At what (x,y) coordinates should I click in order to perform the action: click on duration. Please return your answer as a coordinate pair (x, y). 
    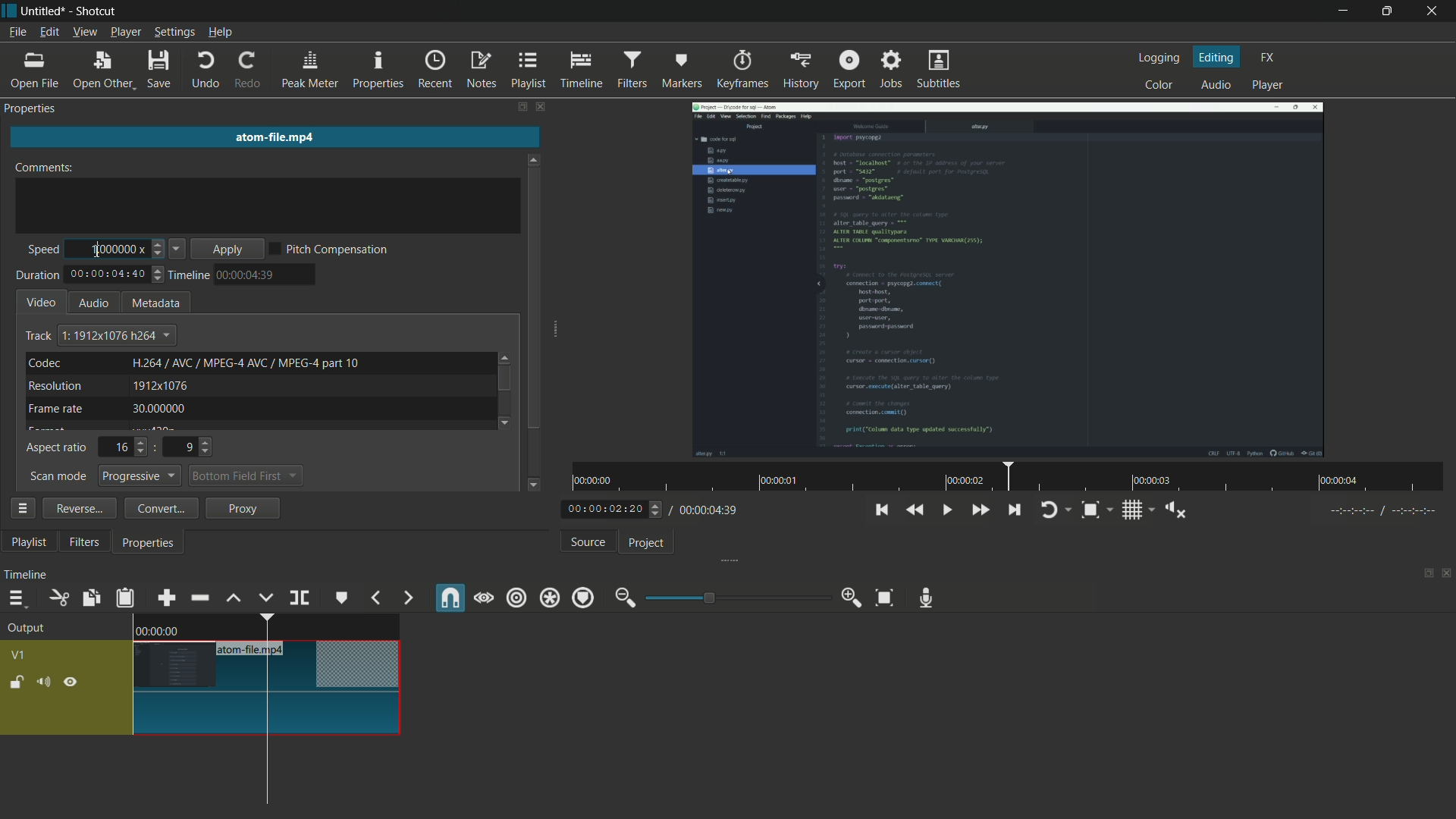
    Looking at the image, I should click on (37, 275).